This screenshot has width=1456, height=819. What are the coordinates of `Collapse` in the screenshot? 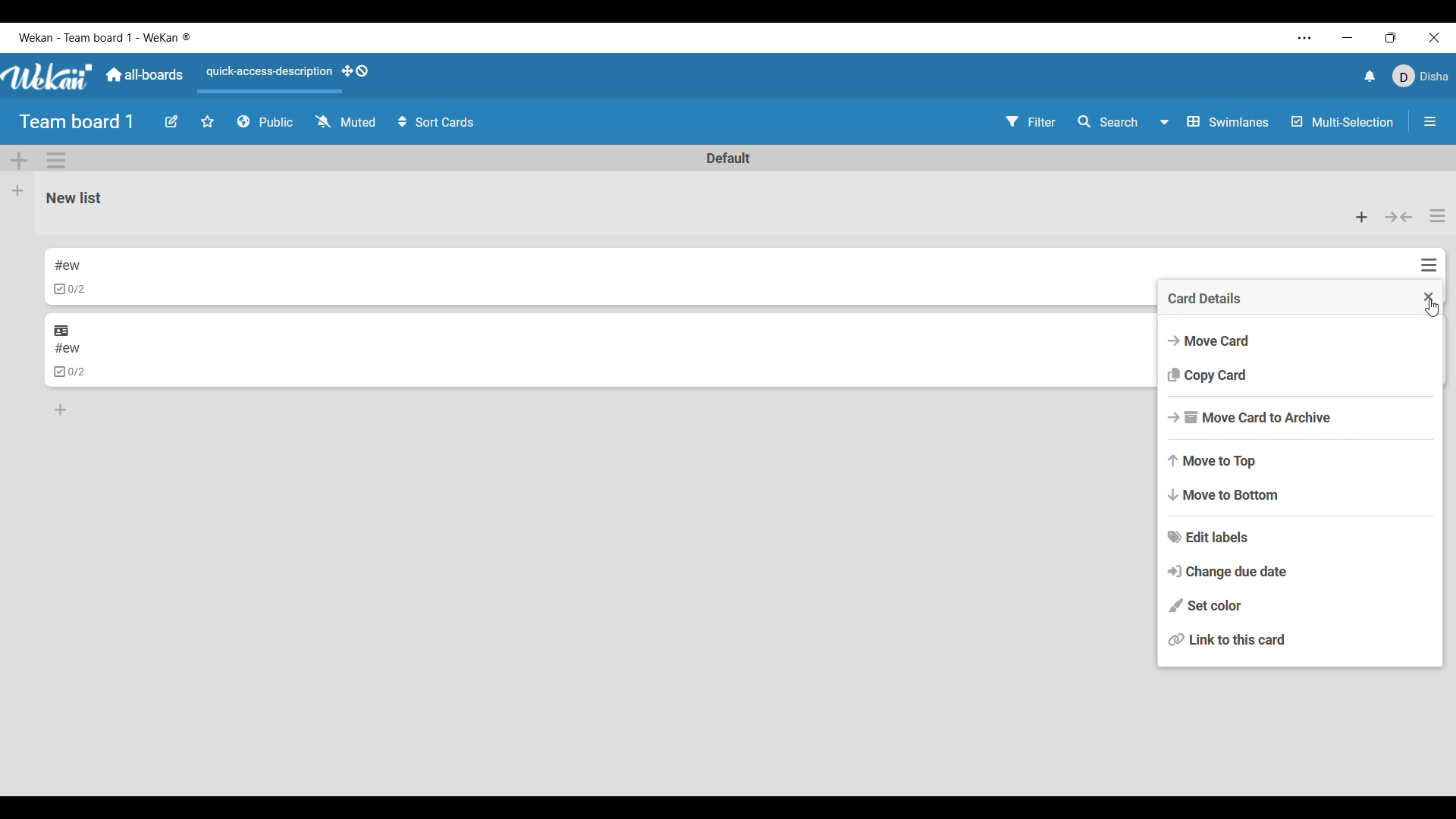 It's located at (1398, 218).